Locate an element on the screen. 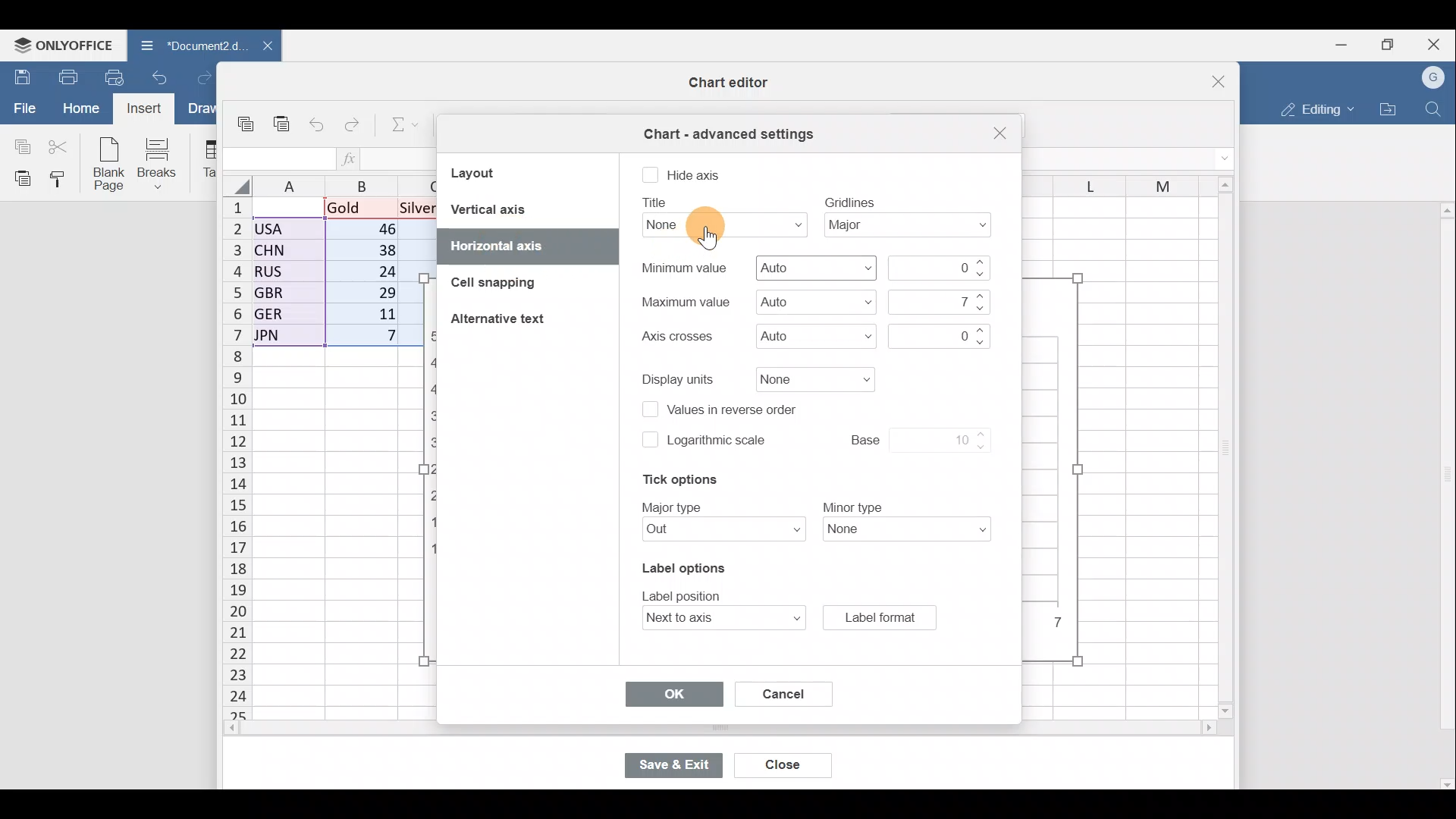 The image size is (1456, 819). Cut is located at coordinates (62, 146).